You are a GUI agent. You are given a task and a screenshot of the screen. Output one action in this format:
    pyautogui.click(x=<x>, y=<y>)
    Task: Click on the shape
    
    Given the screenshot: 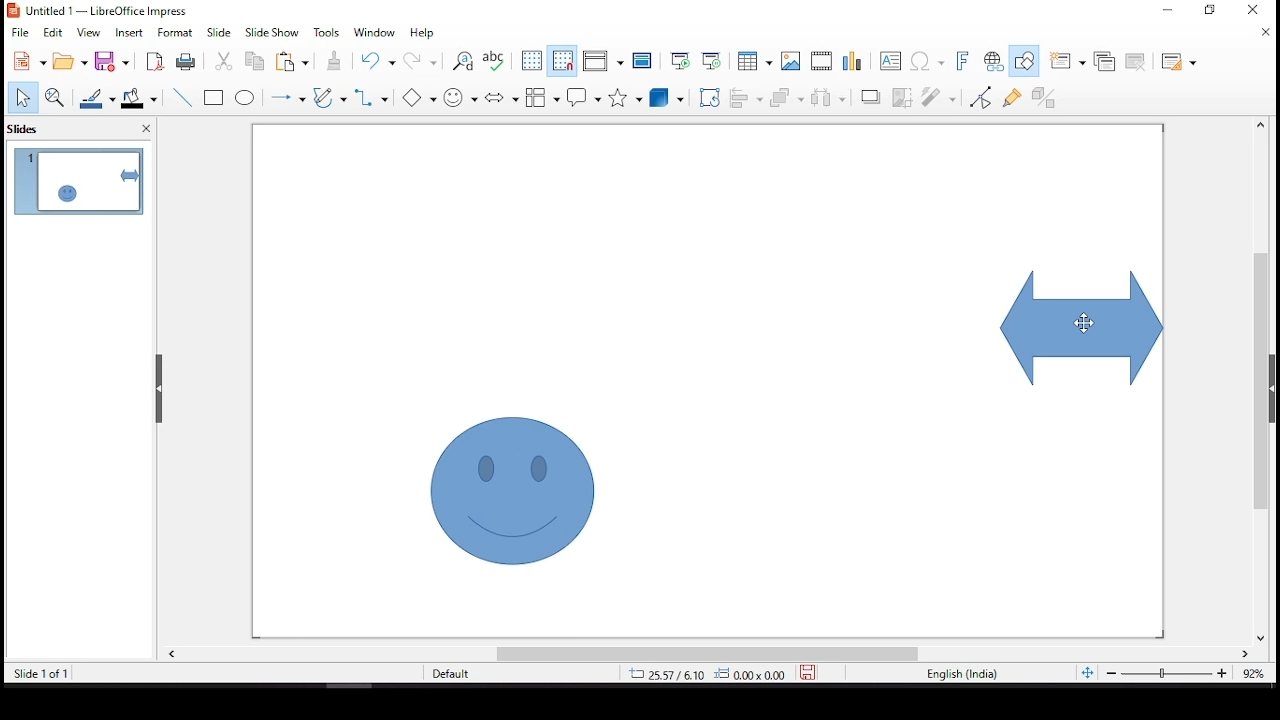 What is the action you would take?
    pyautogui.click(x=1083, y=328)
    